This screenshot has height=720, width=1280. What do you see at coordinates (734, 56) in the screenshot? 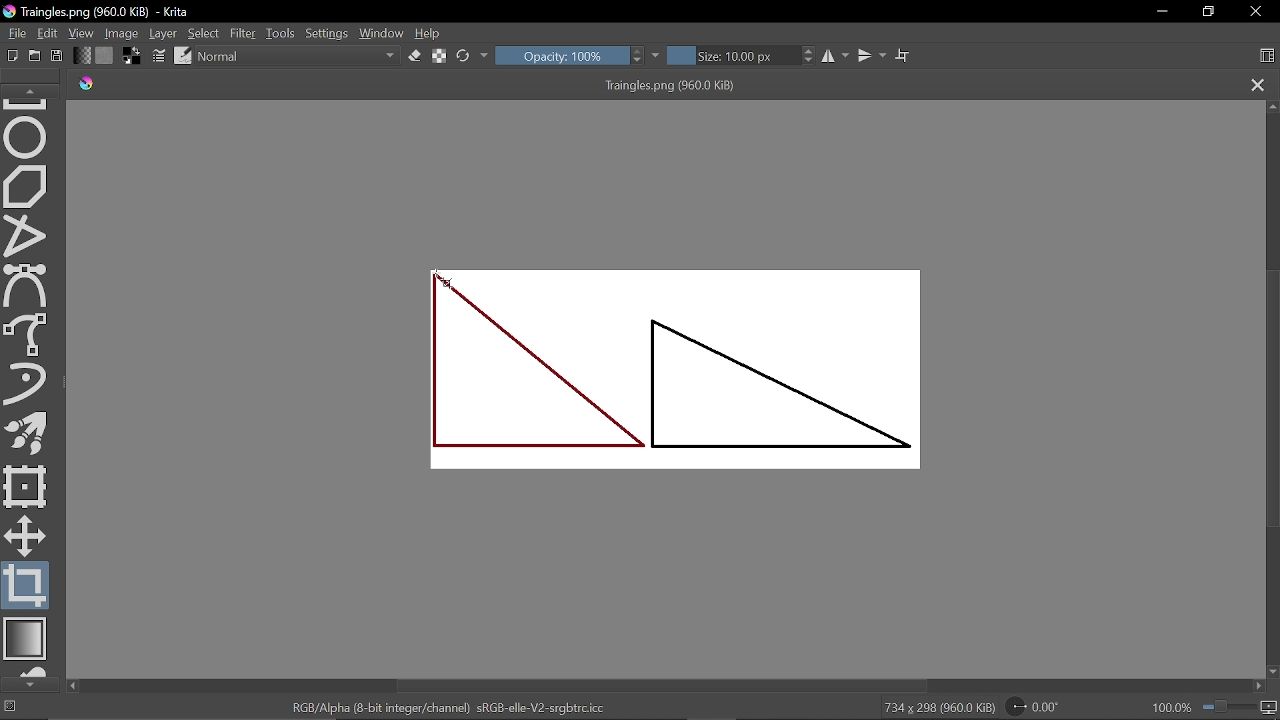
I see `Size: 10.00 px` at bounding box center [734, 56].